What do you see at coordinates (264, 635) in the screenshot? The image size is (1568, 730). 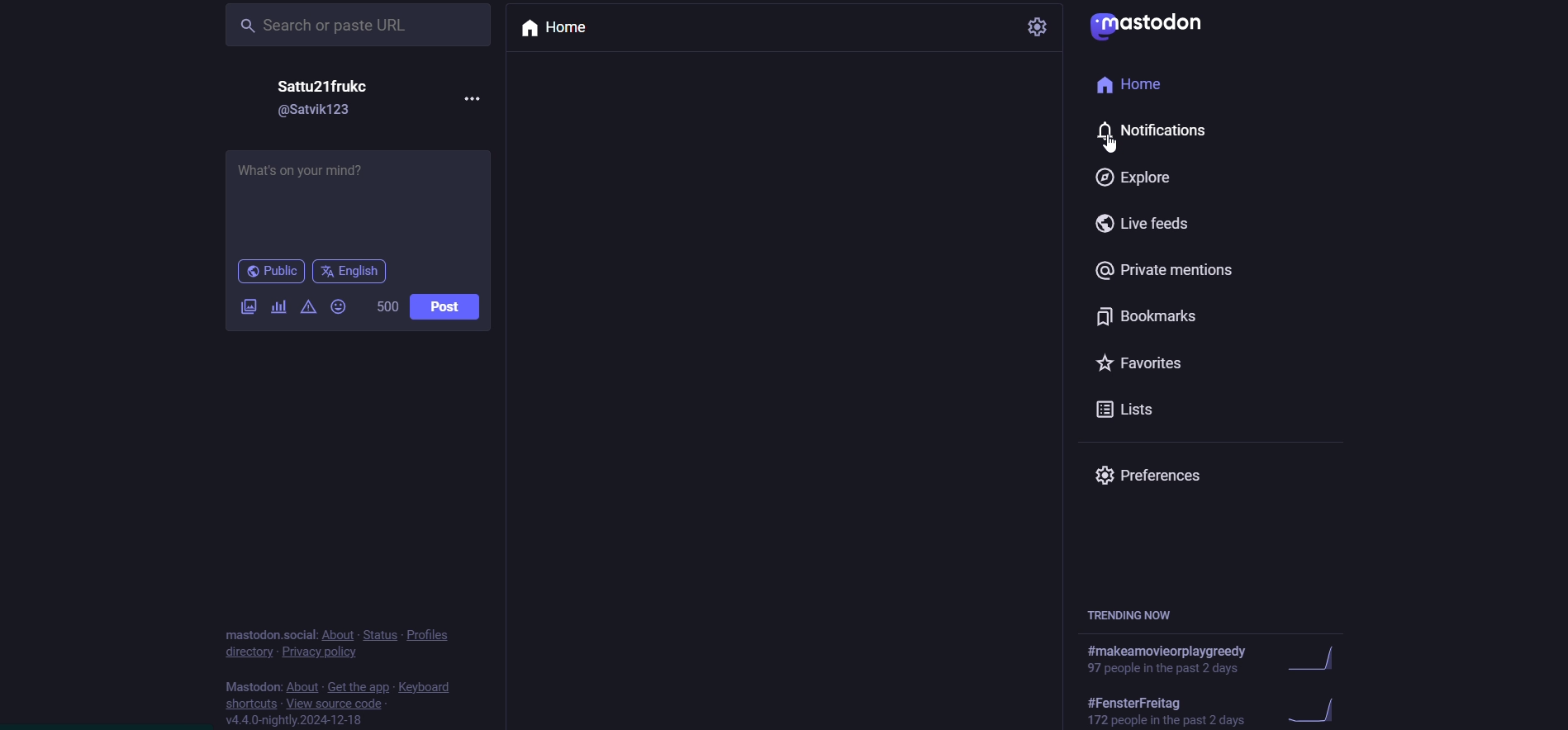 I see `mastodon.social` at bounding box center [264, 635].